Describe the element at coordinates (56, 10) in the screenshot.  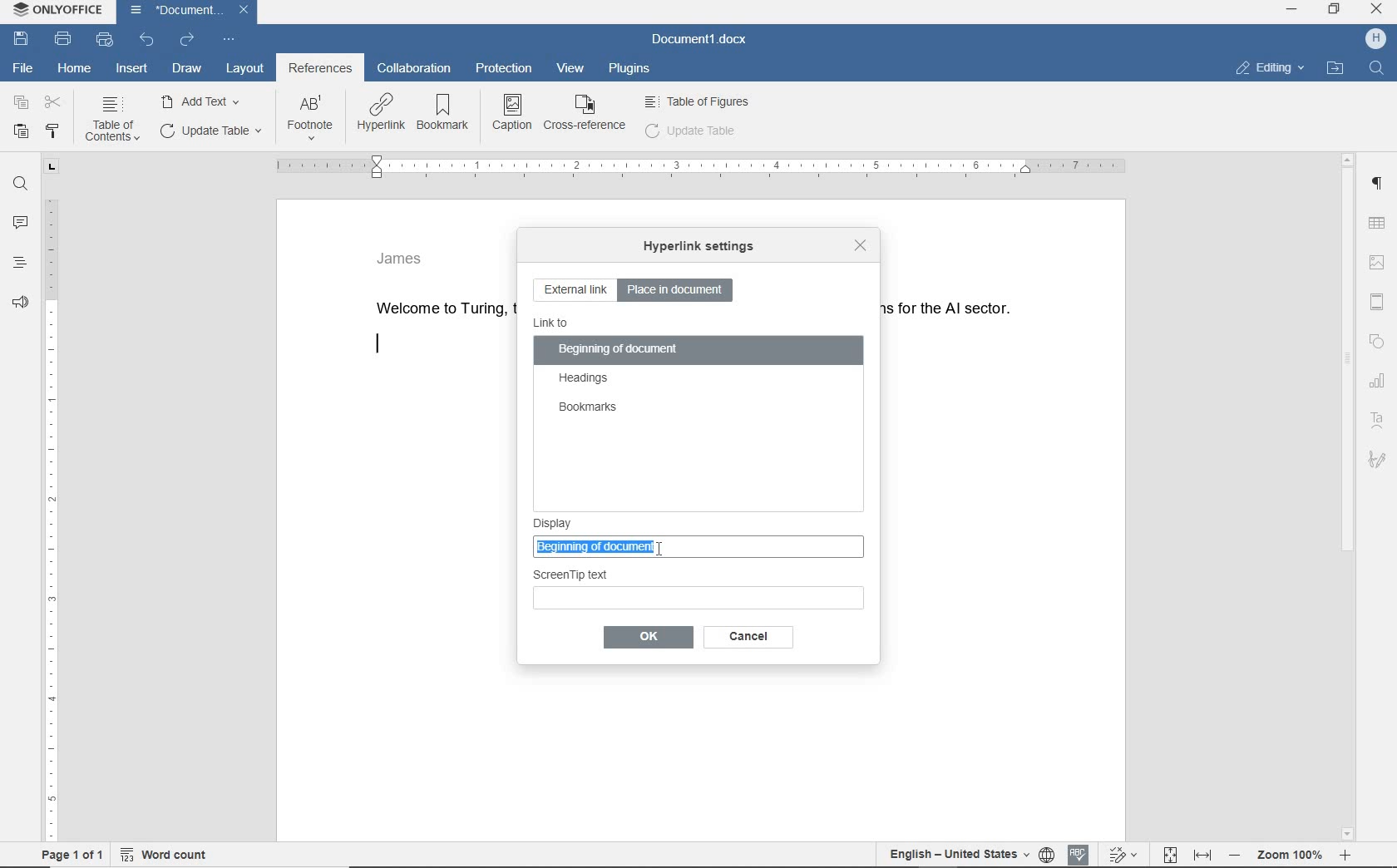
I see `ONLYOFFICE` at that location.